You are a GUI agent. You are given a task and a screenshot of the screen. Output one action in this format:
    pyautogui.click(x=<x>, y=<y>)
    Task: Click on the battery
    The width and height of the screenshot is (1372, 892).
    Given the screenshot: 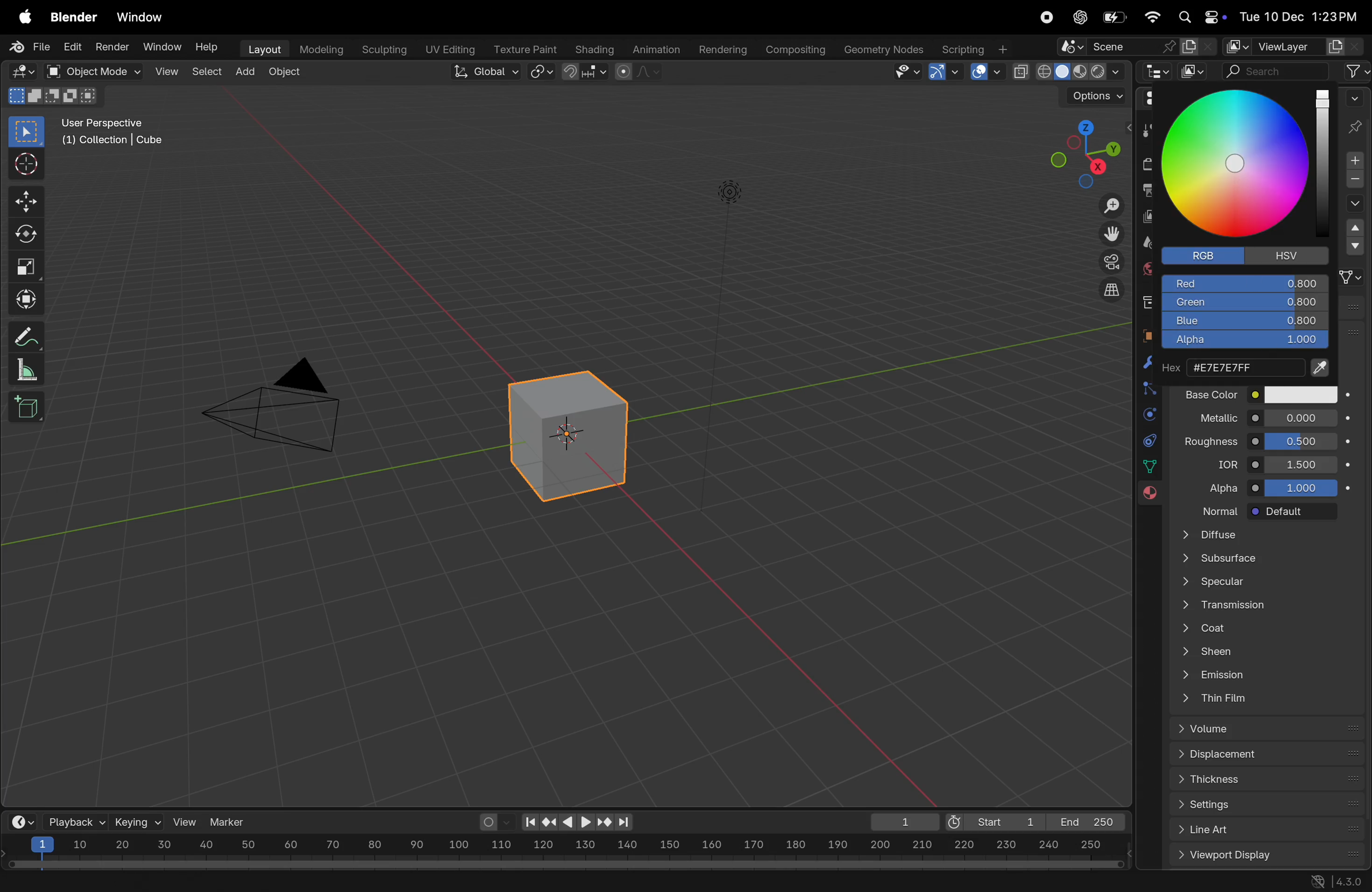 What is the action you would take?
    pyautogui.click(x=1117, y=17)
    